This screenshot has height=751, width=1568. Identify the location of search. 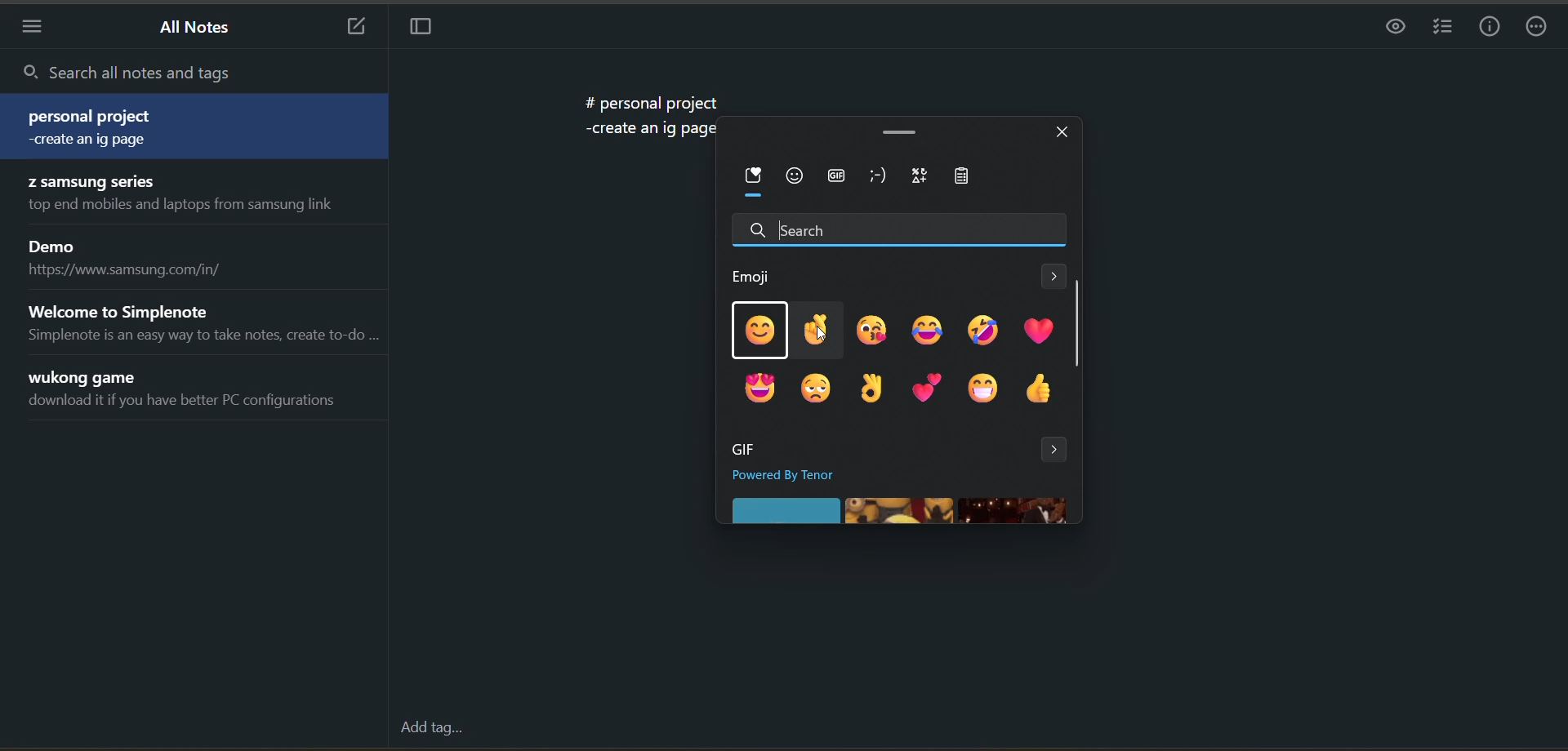
(898, 228).